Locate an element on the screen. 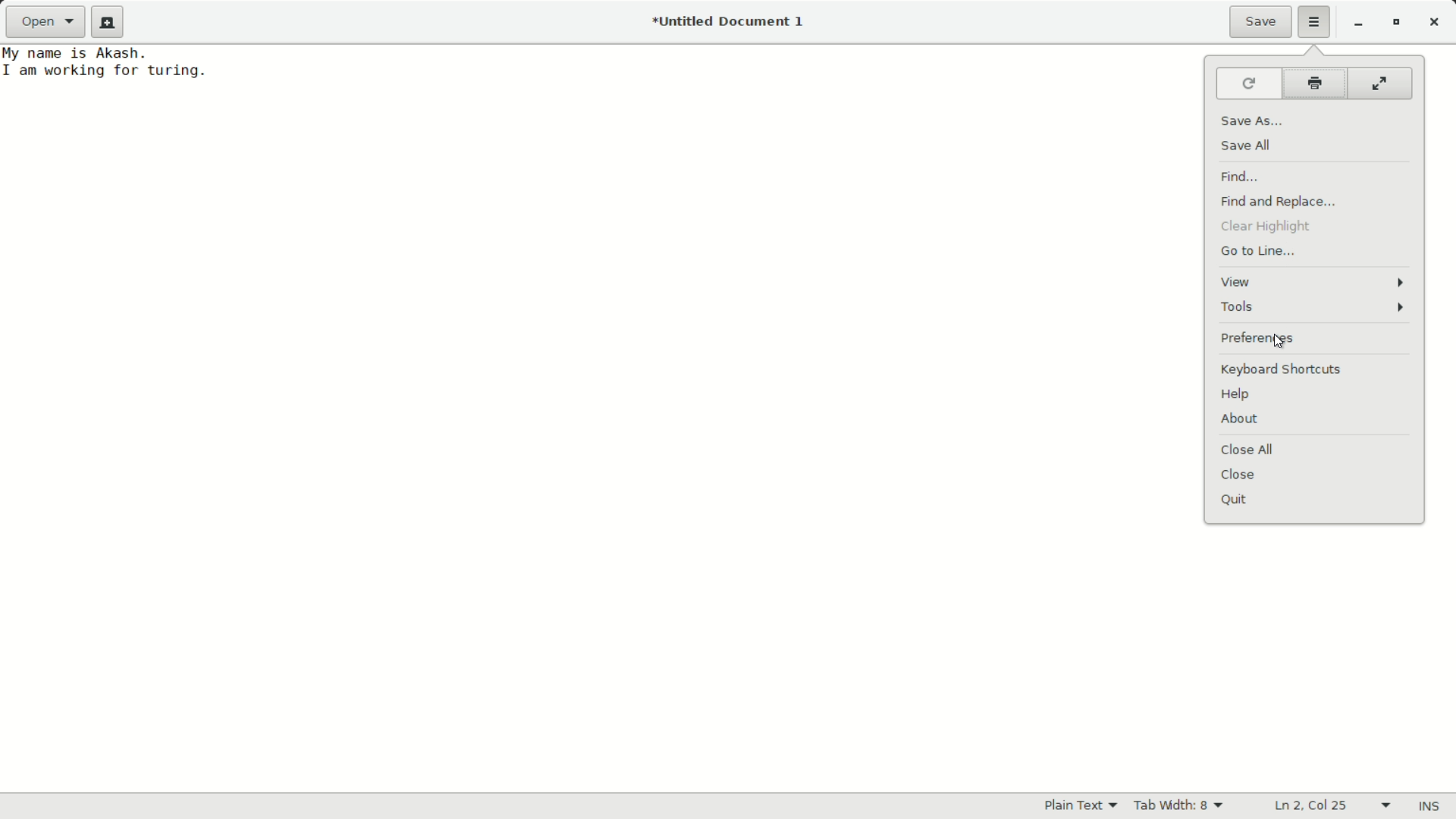 Image resolution: width=1456 pixels, height=819 pixels. *Untitled Document 1 is located at coordinates (733, 23).